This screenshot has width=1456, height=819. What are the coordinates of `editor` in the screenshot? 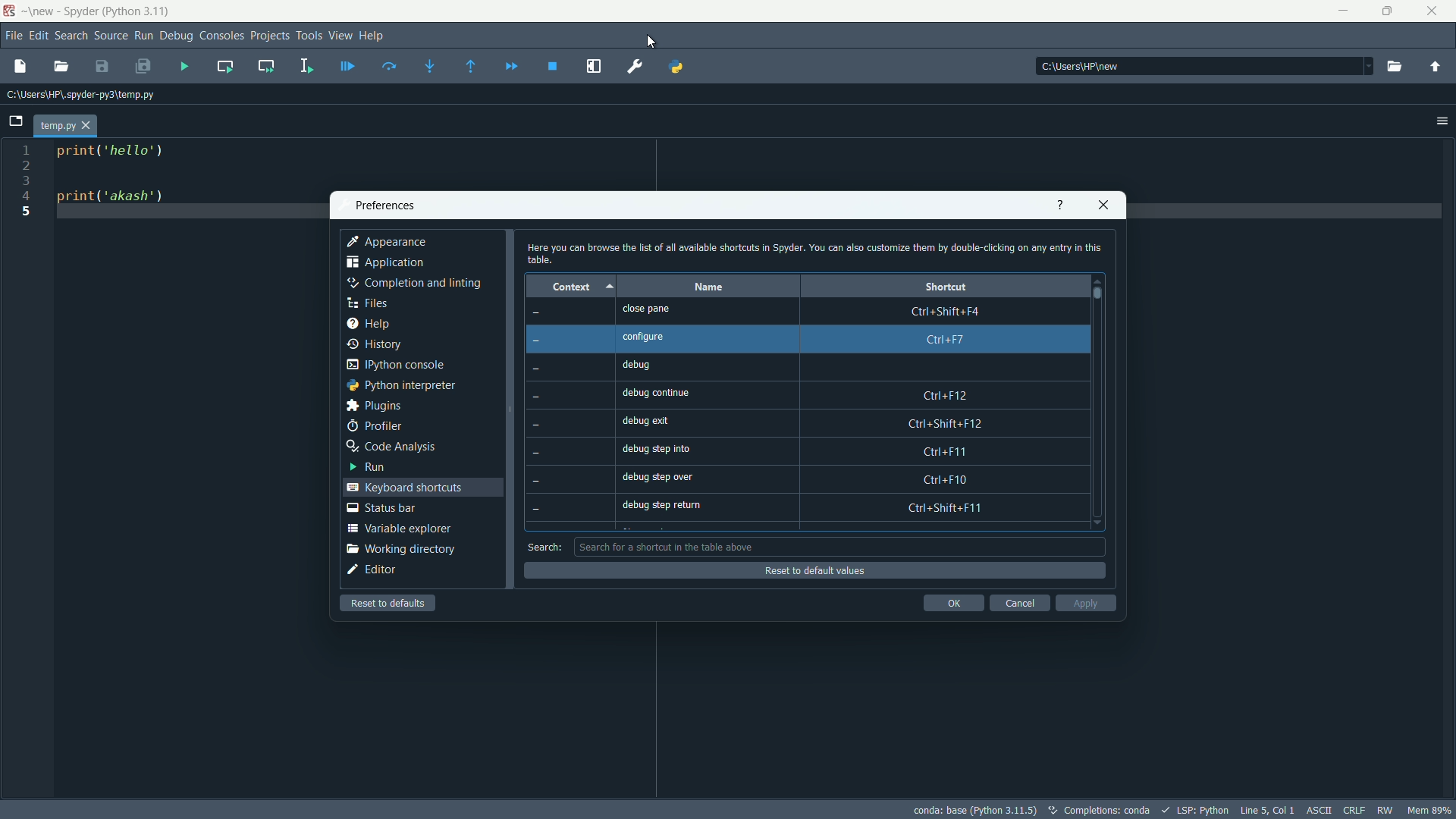 It's located at (372, 570).